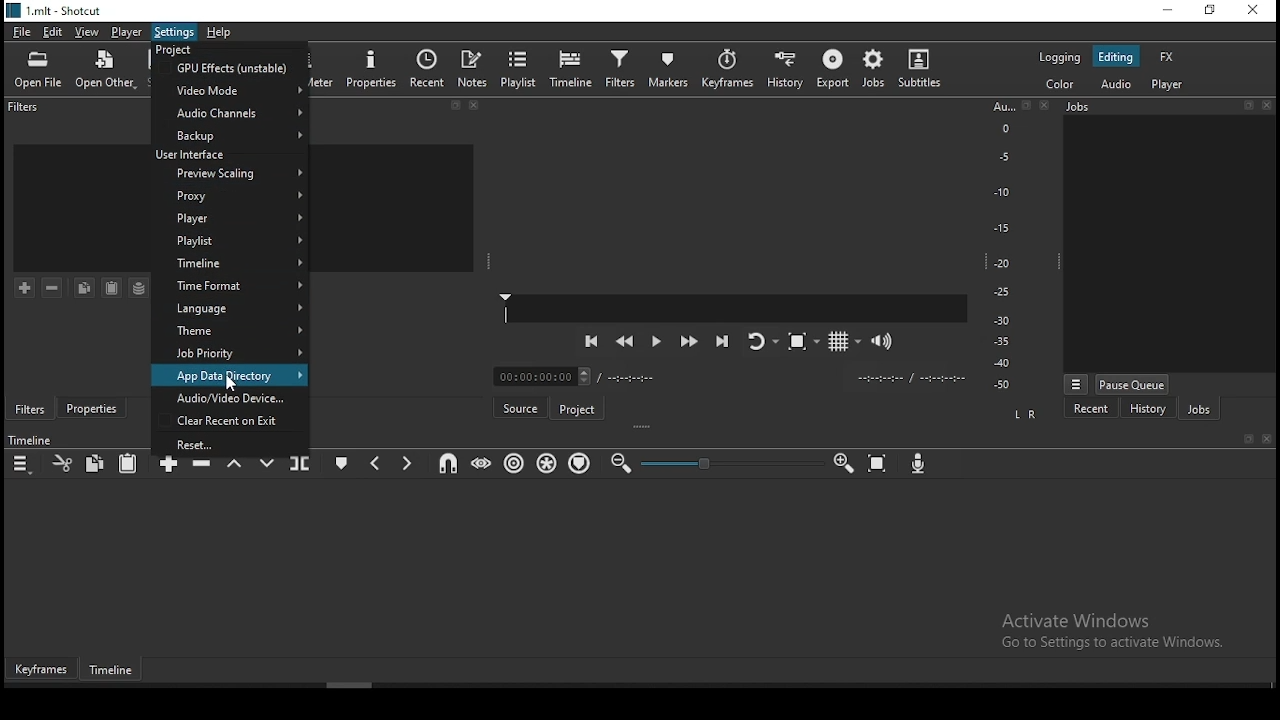 This screenshot has width=1280, height=720. What do you see at coordinates (760, 346) in the screenshot?
I see `toggle player after looping` at bounding box center [760, 346].